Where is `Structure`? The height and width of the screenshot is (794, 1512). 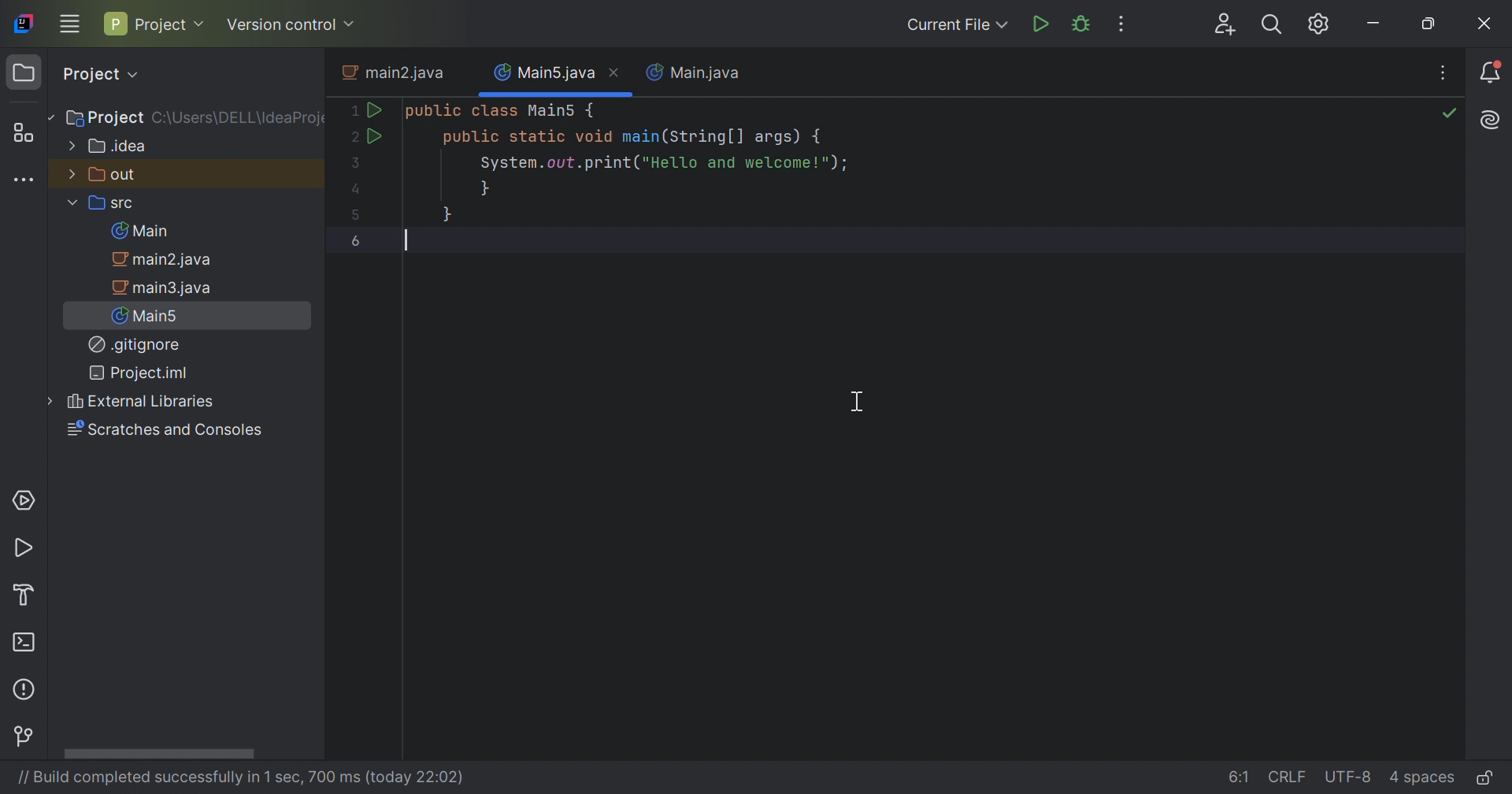 Structure is located at coordinates (27, 134).